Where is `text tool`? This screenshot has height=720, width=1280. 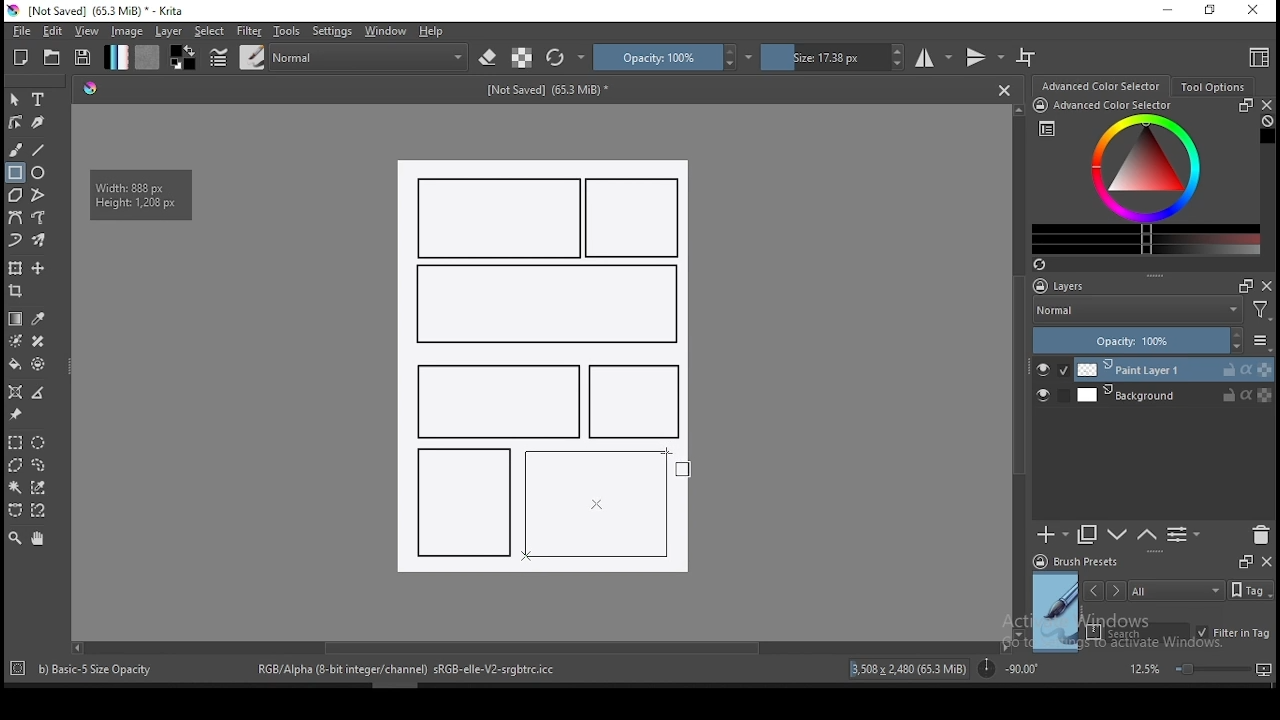 text tool is located at coordinates (39, 100).